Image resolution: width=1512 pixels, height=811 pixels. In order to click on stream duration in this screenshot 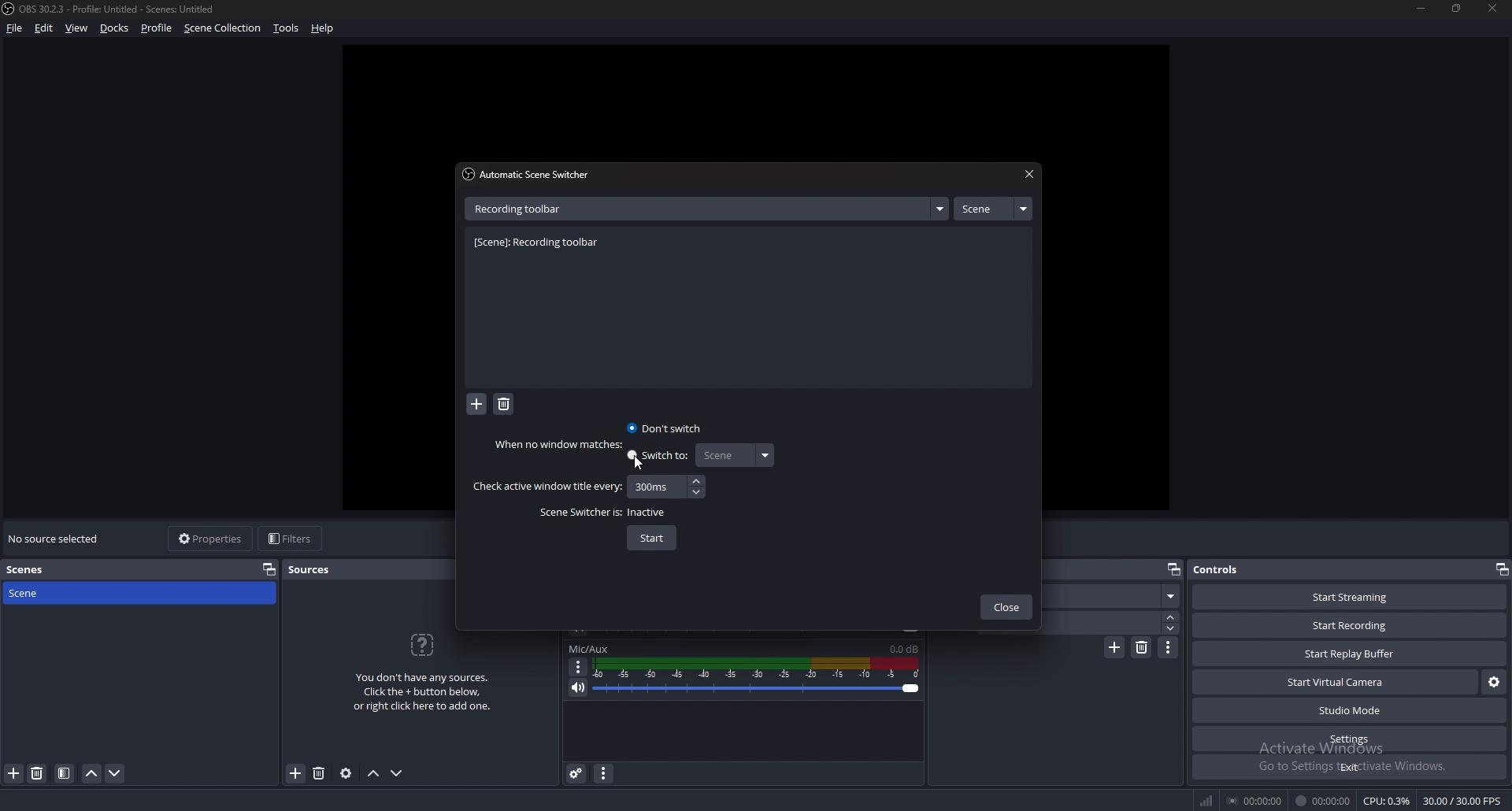, I will do `click(1256, 800)`.